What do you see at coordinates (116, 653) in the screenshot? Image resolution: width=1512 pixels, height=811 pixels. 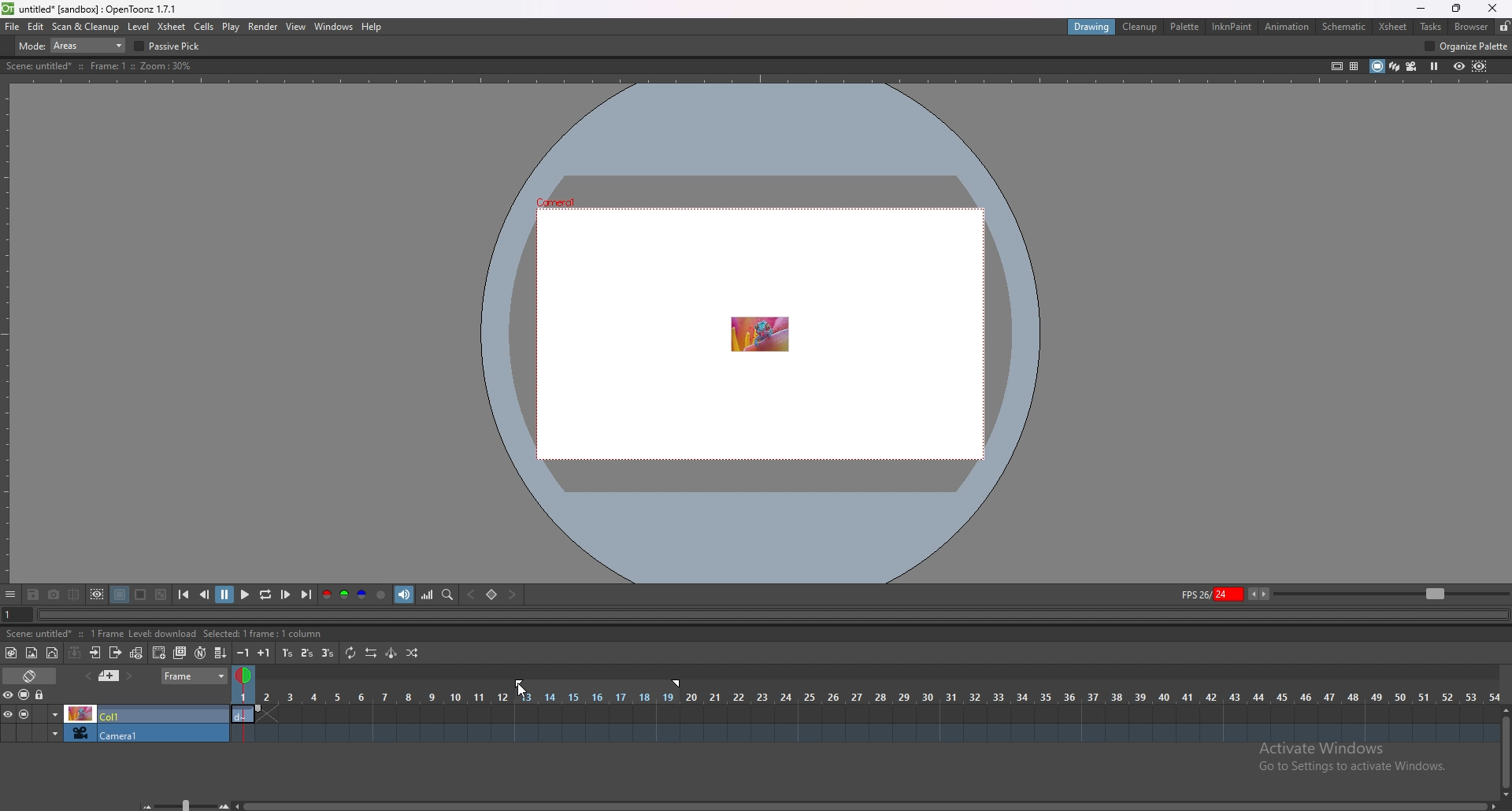 I see `close subsheet` at bounding box center [116, 653].